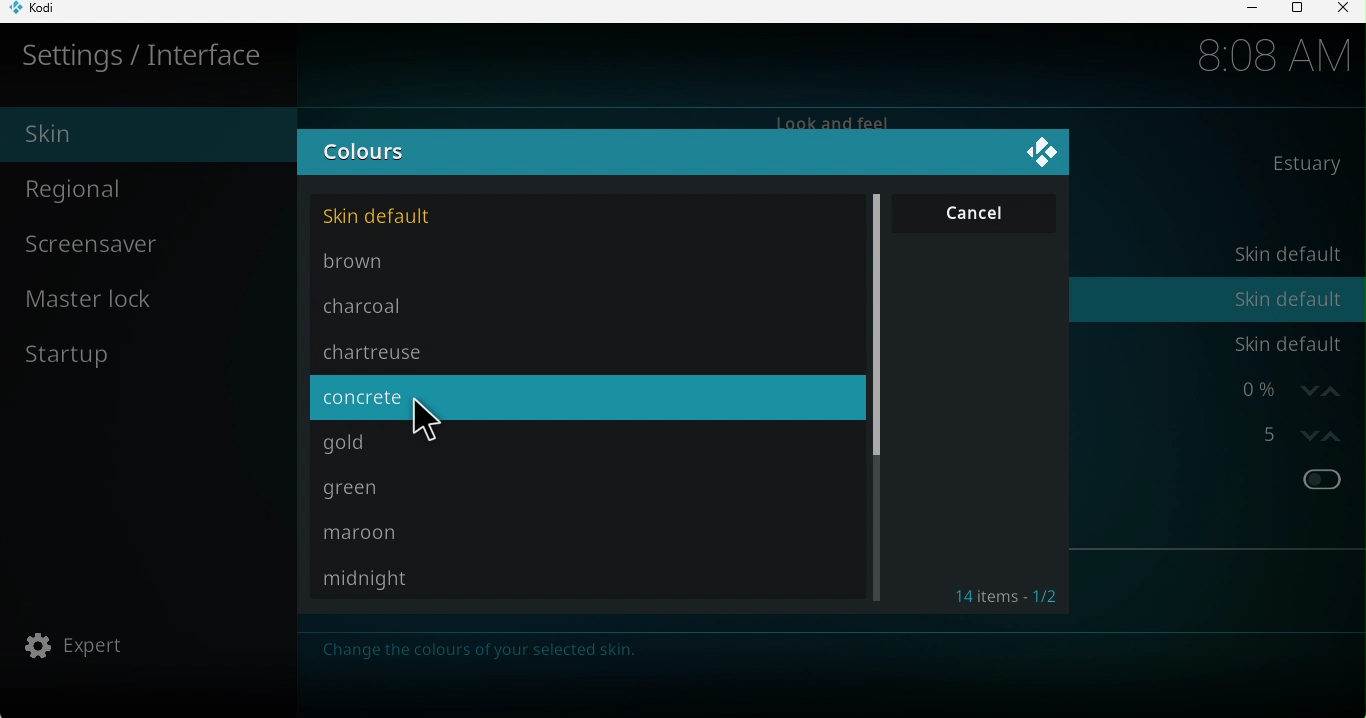 The height and width of the screenshot is (718, 1366). Describe the element at coordinates (74, 647) in the screenshot. I see `Expert` at that location.